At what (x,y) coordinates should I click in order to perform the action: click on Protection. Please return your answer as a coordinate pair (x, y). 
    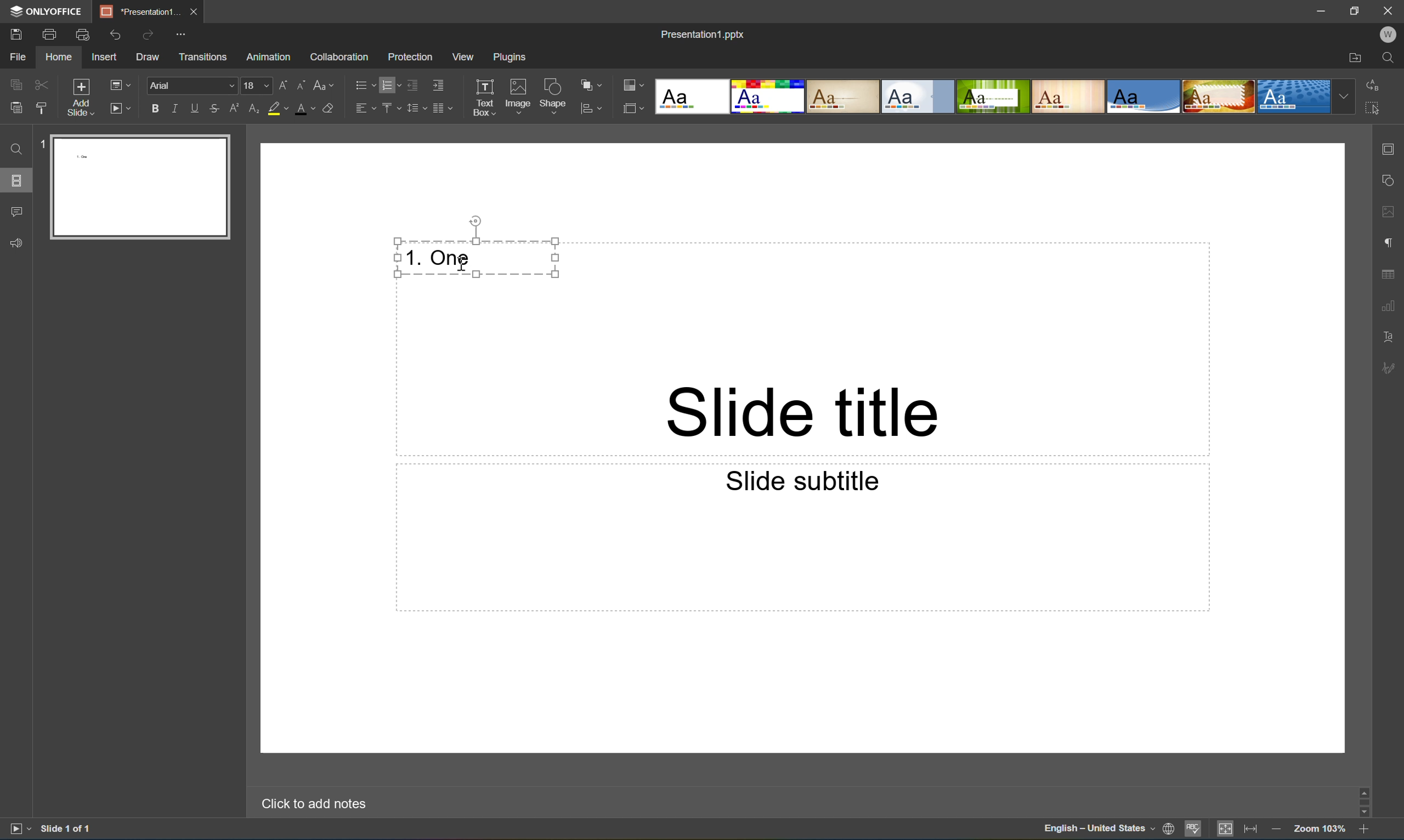
    Looking at the image, I should click on (410, 57).